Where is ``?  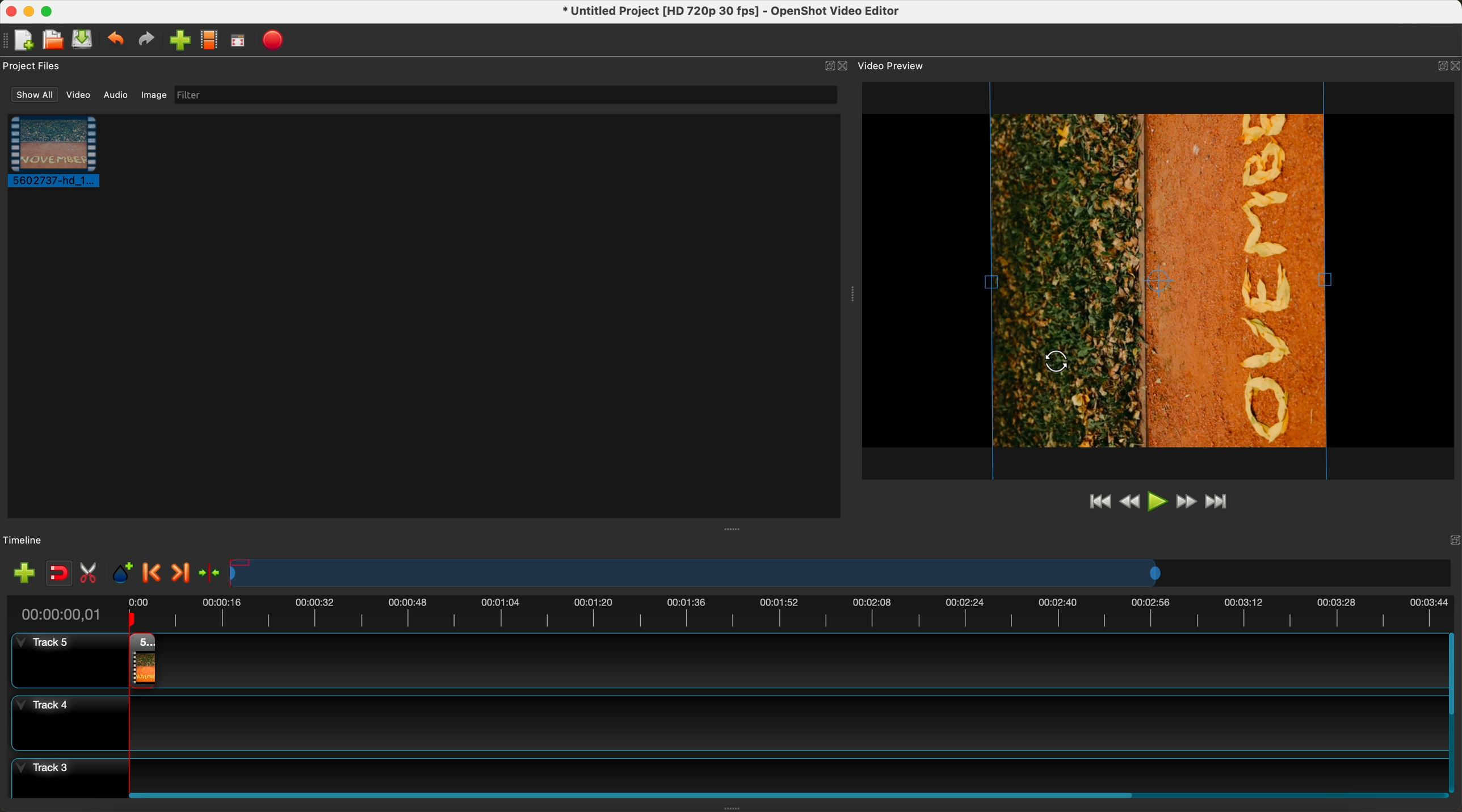  is located at coordinates (734, 528).